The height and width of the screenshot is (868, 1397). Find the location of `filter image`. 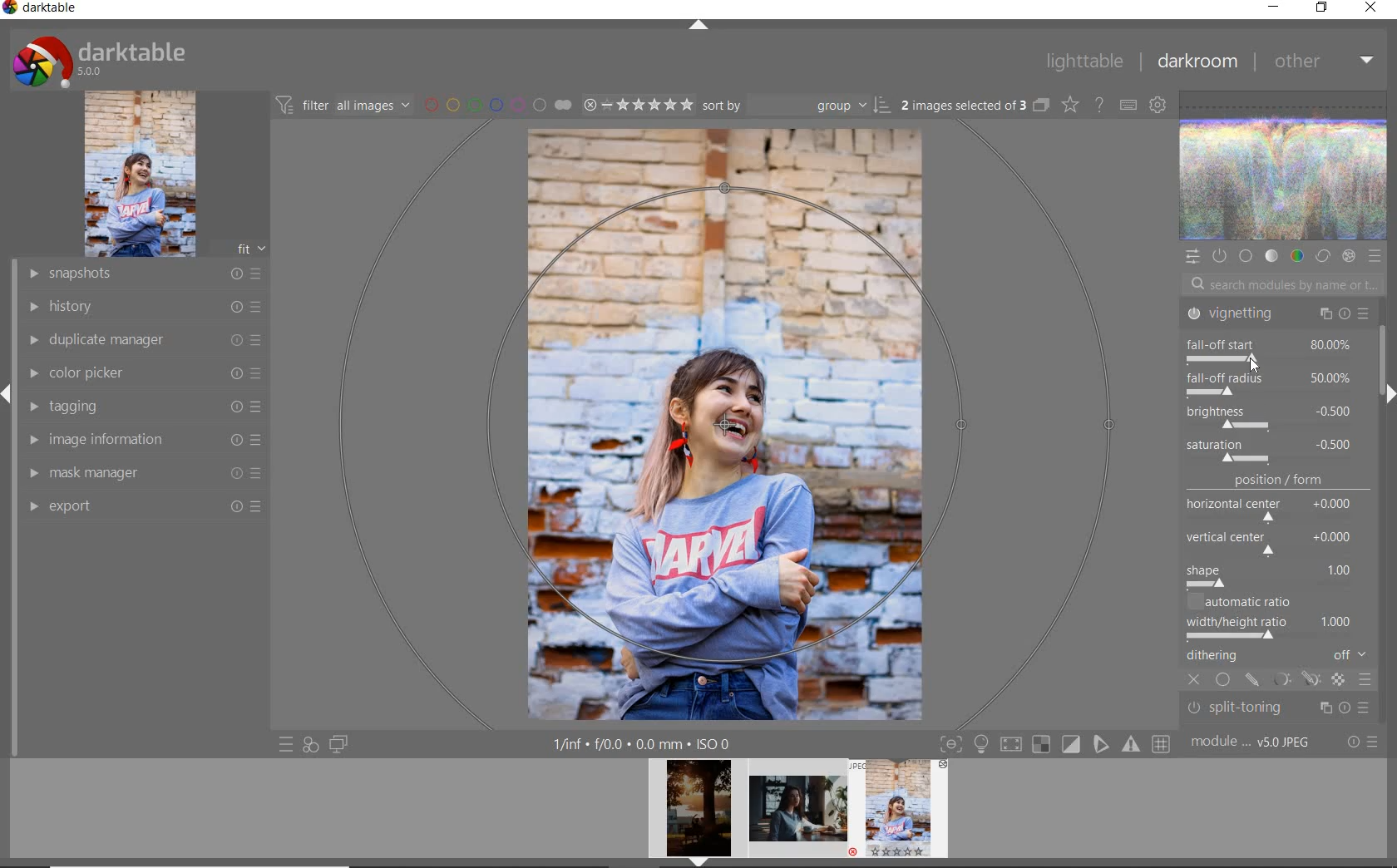

filter image is located at coordinates (343, 104).